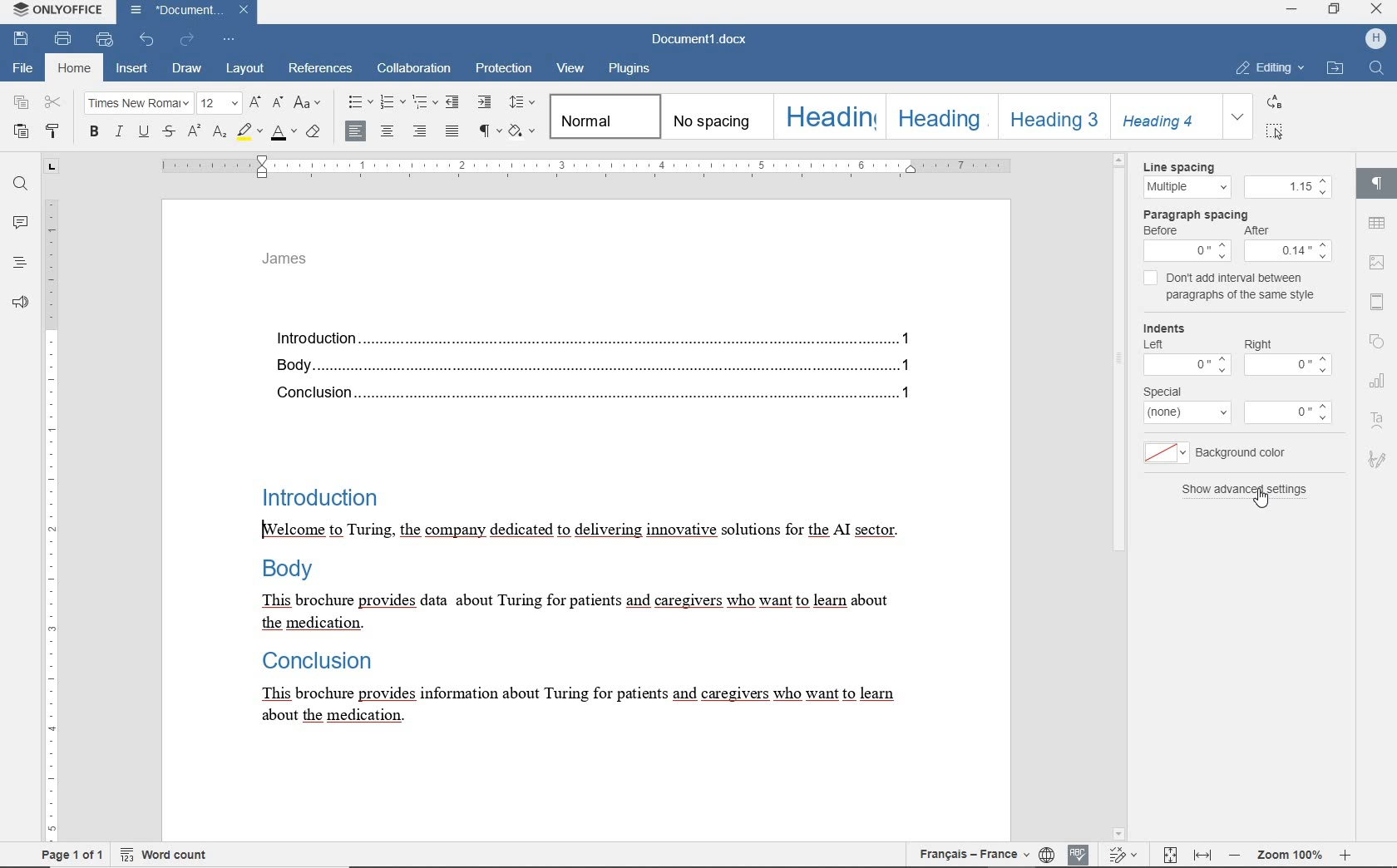  I want to click on draw, so click(187, 69).